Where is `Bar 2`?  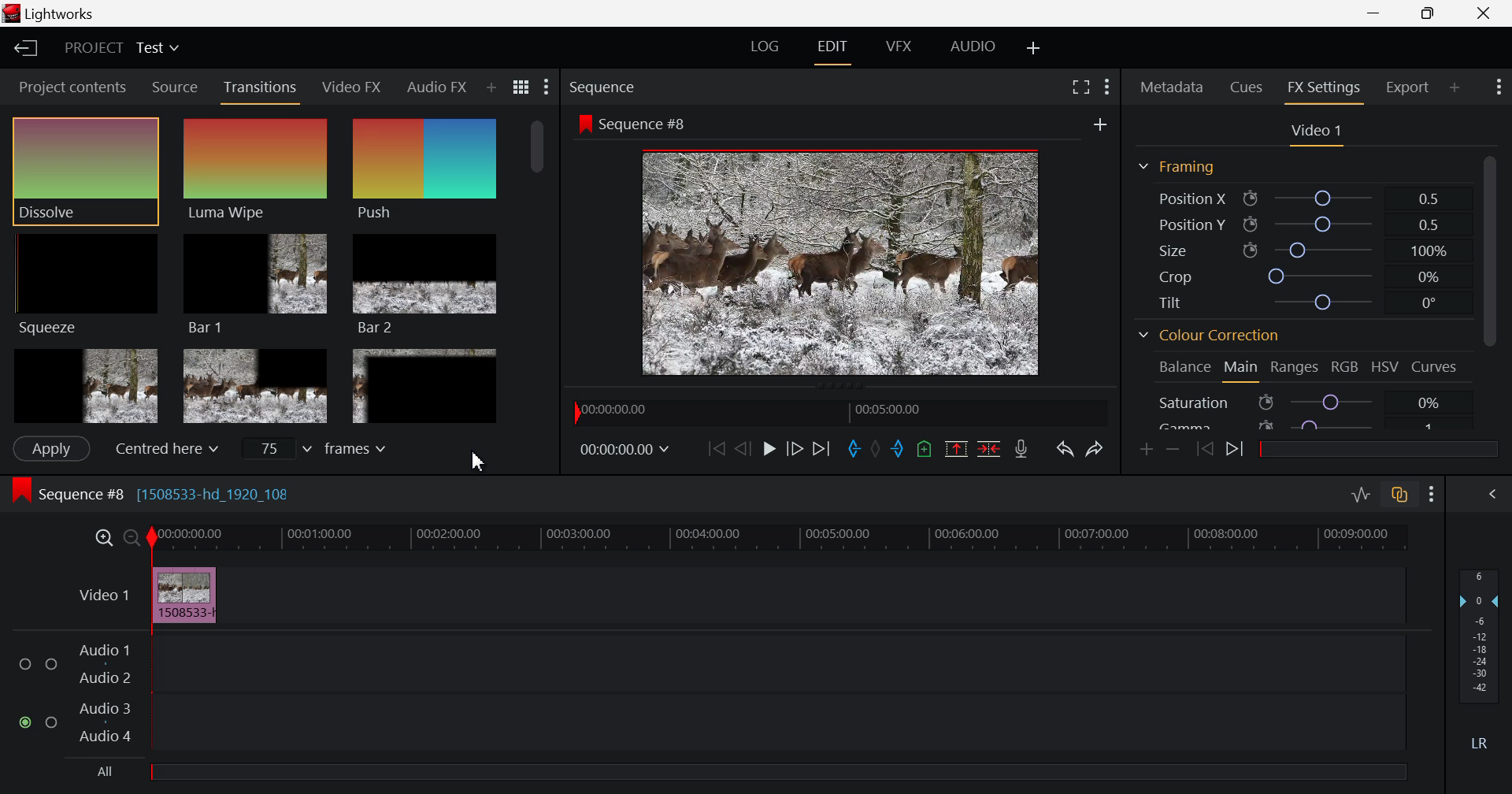 Bar 2 is located at coordinates (427, 284).